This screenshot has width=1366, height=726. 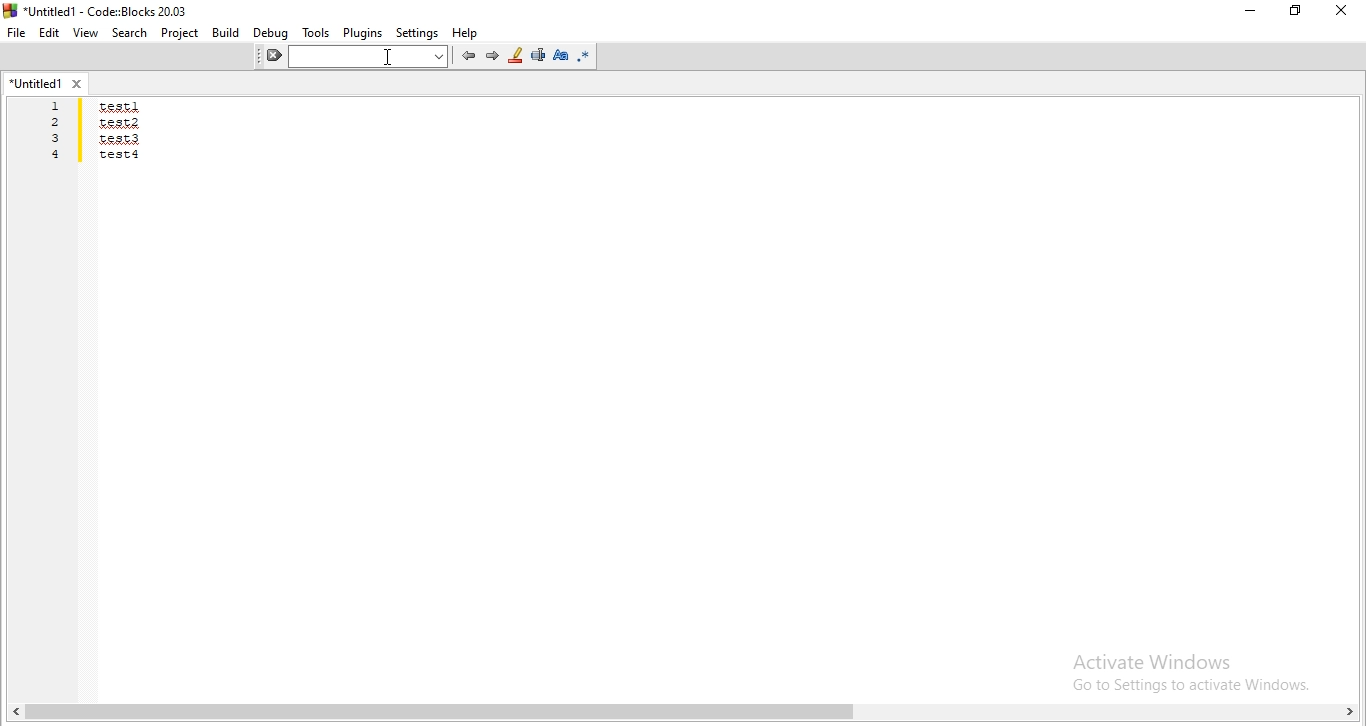 I want to click on close, so click(x=80, y=83).